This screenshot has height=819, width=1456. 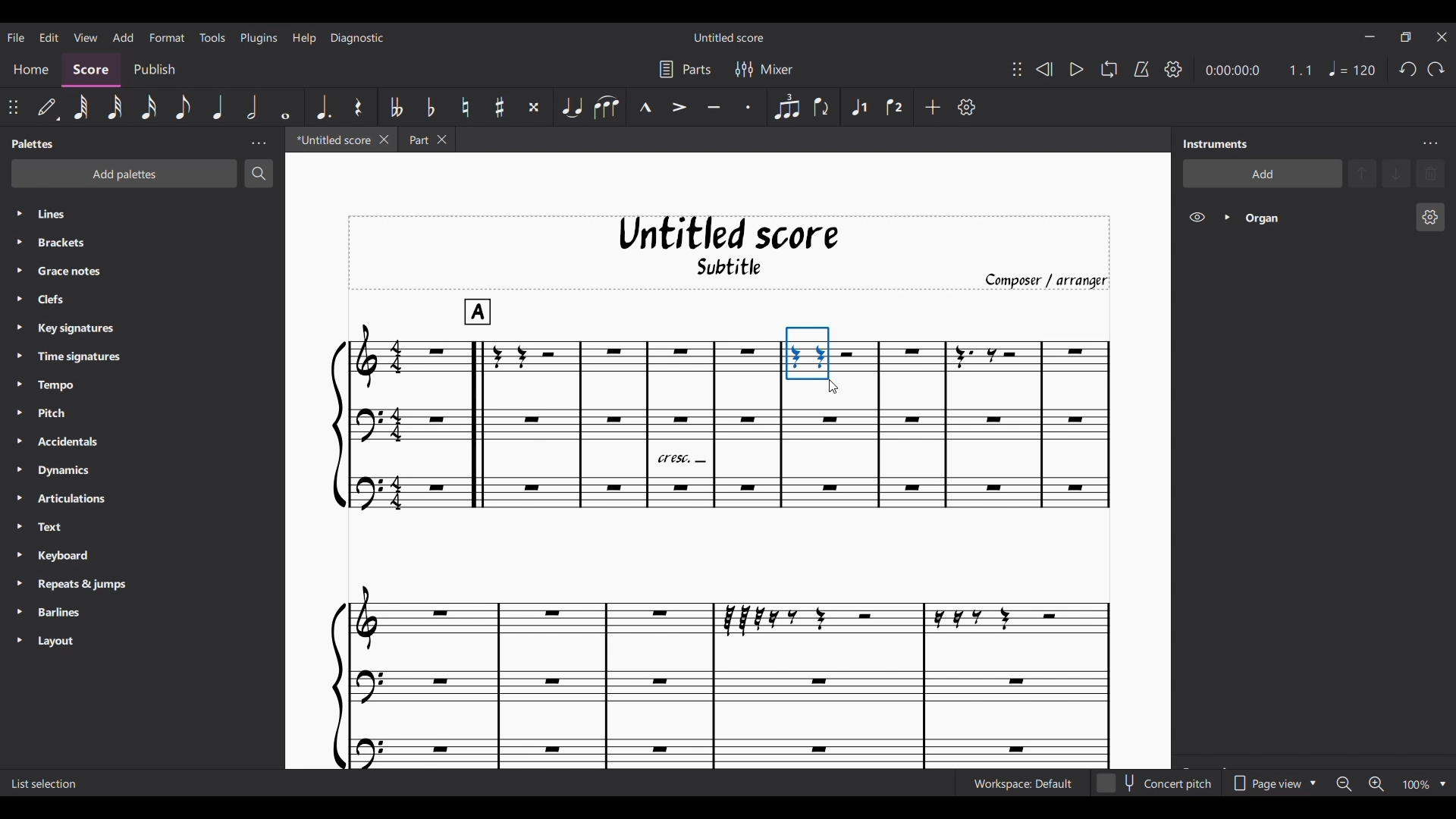 What do you see at coordinates (1197, 217) in the screenshot?
I see `Hide Organ on score` at bounding box center [1197, 217].